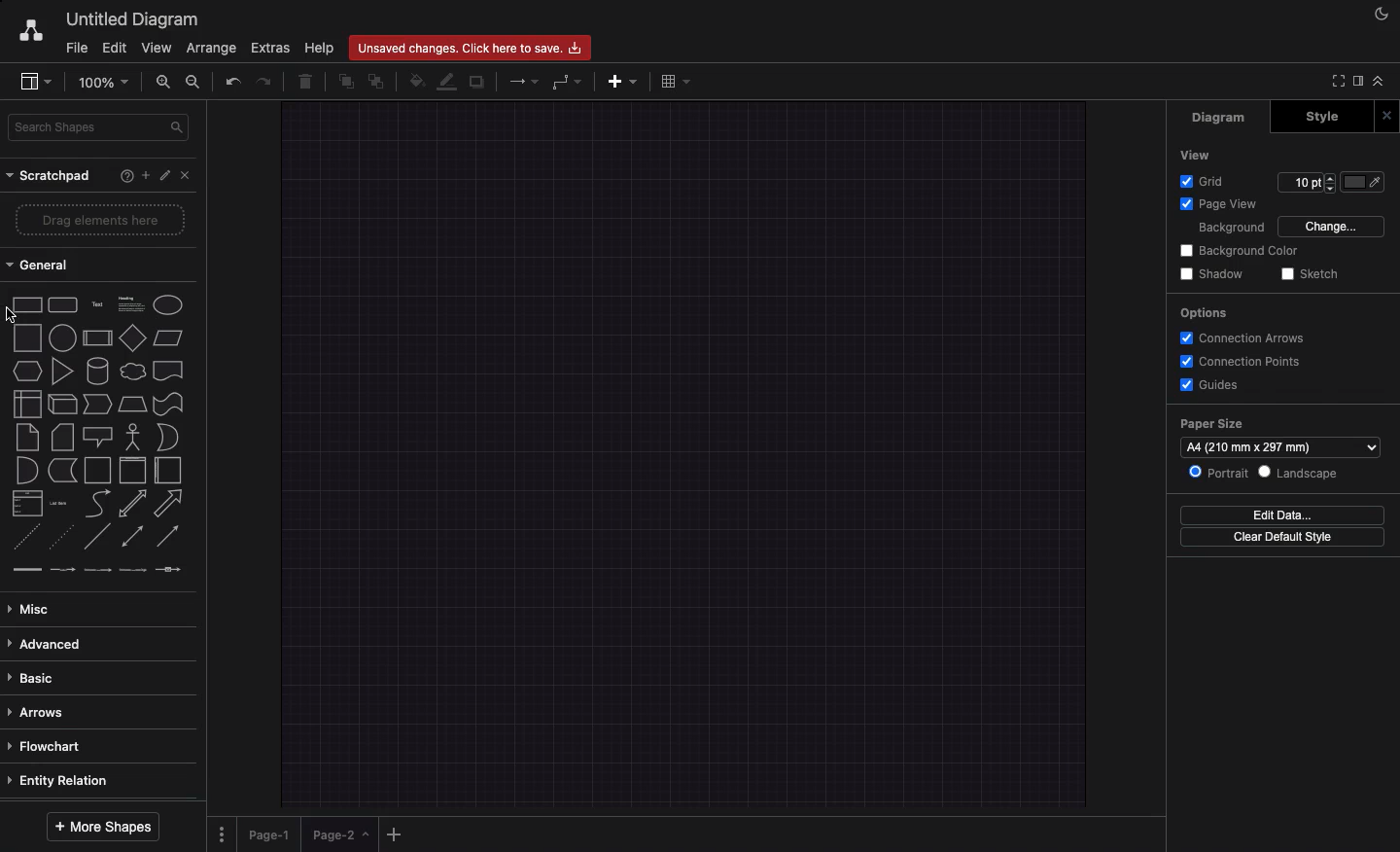  Describe the element at coordinates (1379, 80) in the screenshot. I see `Collapse` at that location.